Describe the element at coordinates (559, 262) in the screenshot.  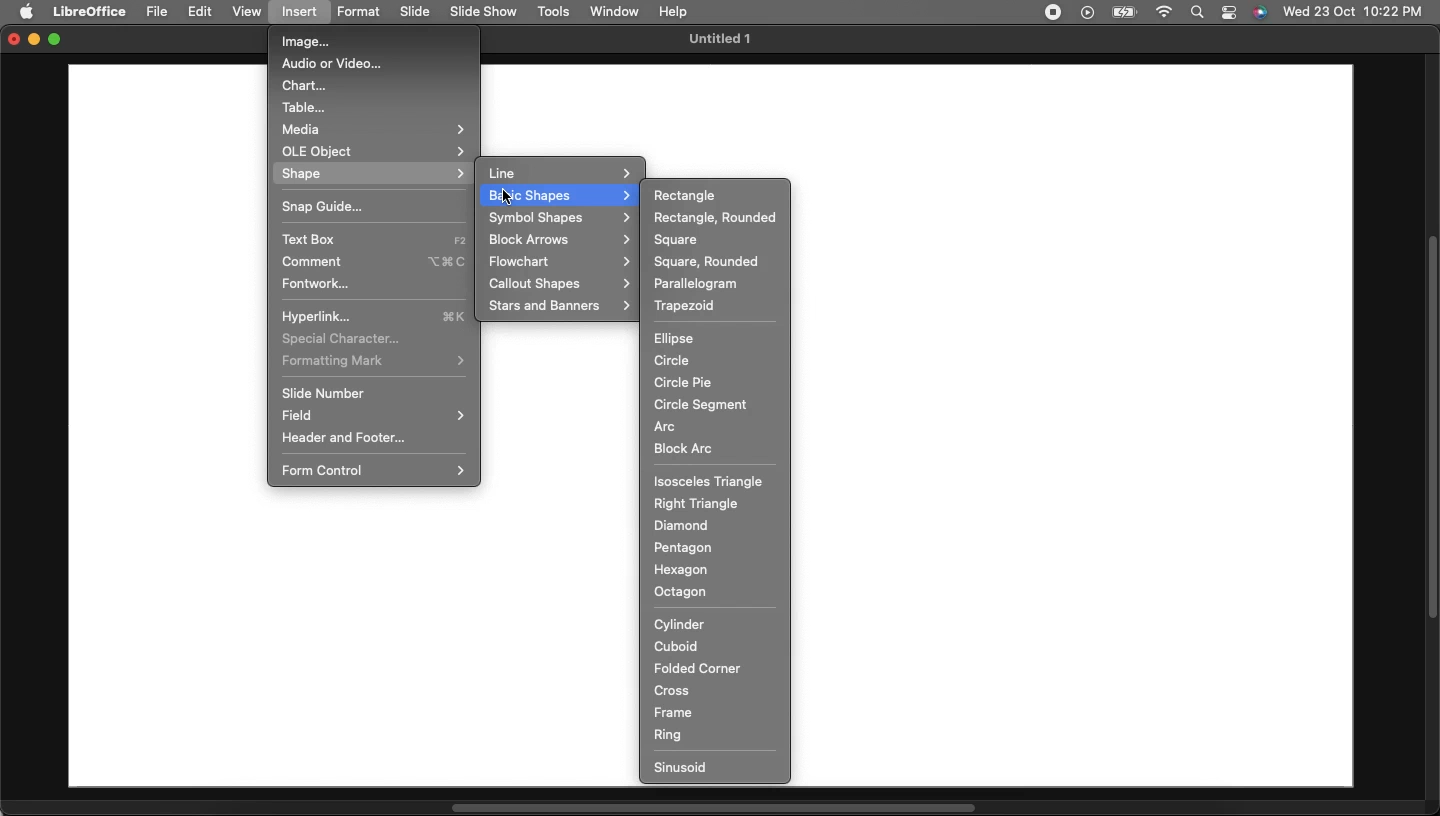
I see `Flowchart` at that location.